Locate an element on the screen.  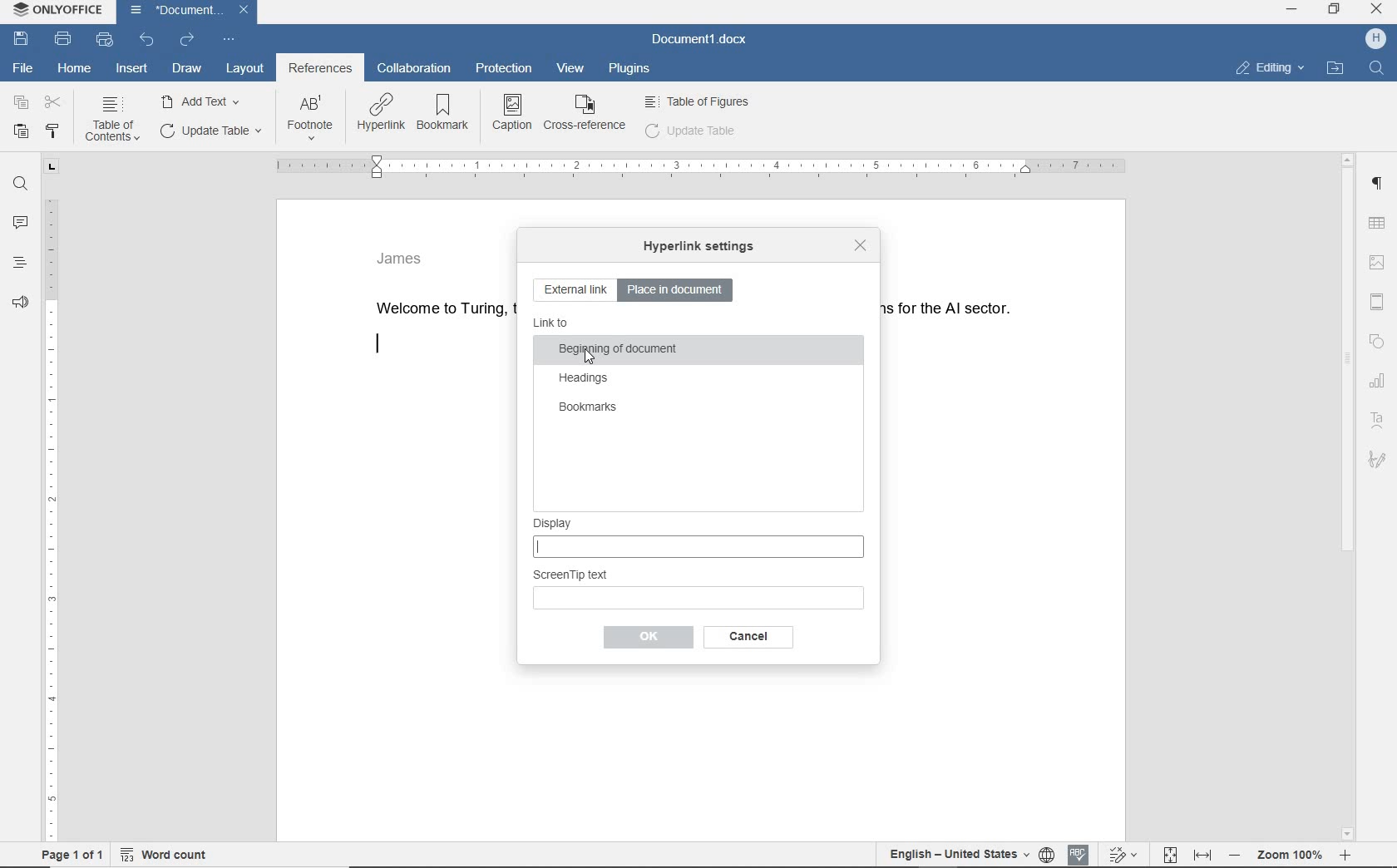
headings is located at coordinates (585, 379).